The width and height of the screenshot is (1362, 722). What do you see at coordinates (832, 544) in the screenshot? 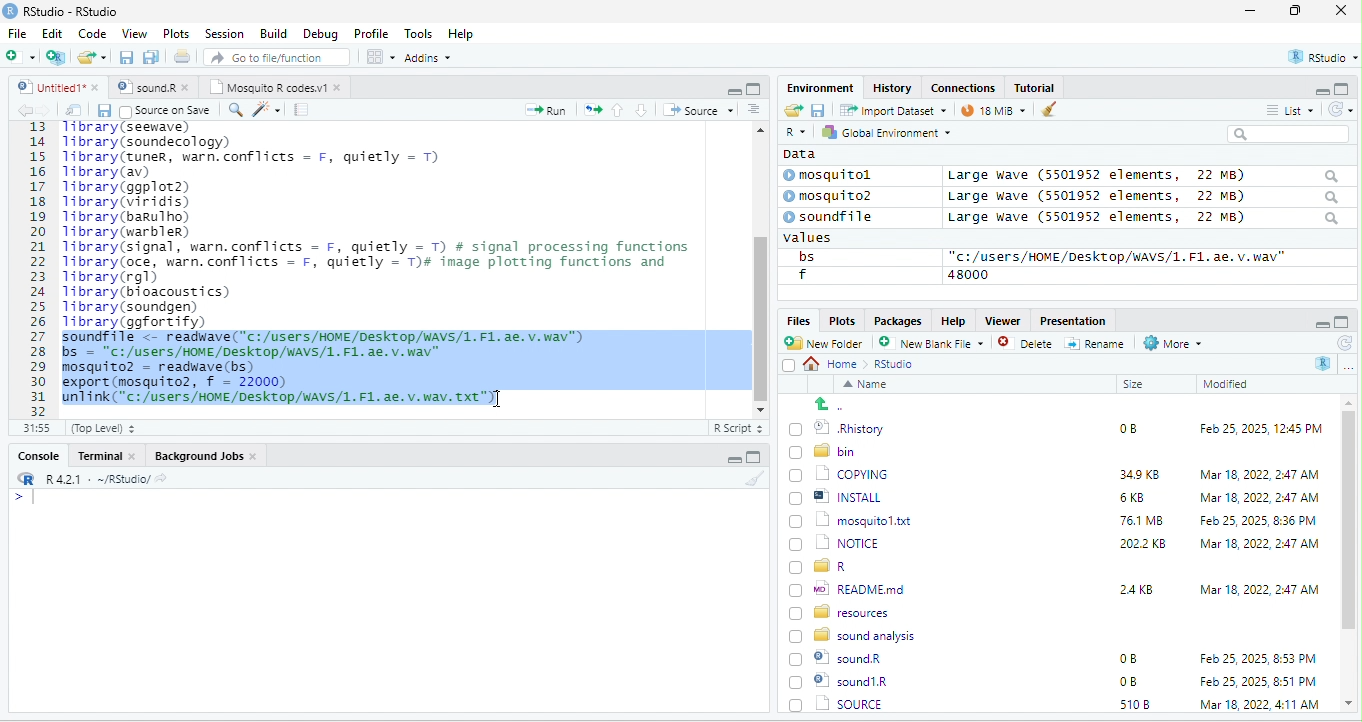
I see `(7) 1 NOTICE` at bounding box center [832, 544].